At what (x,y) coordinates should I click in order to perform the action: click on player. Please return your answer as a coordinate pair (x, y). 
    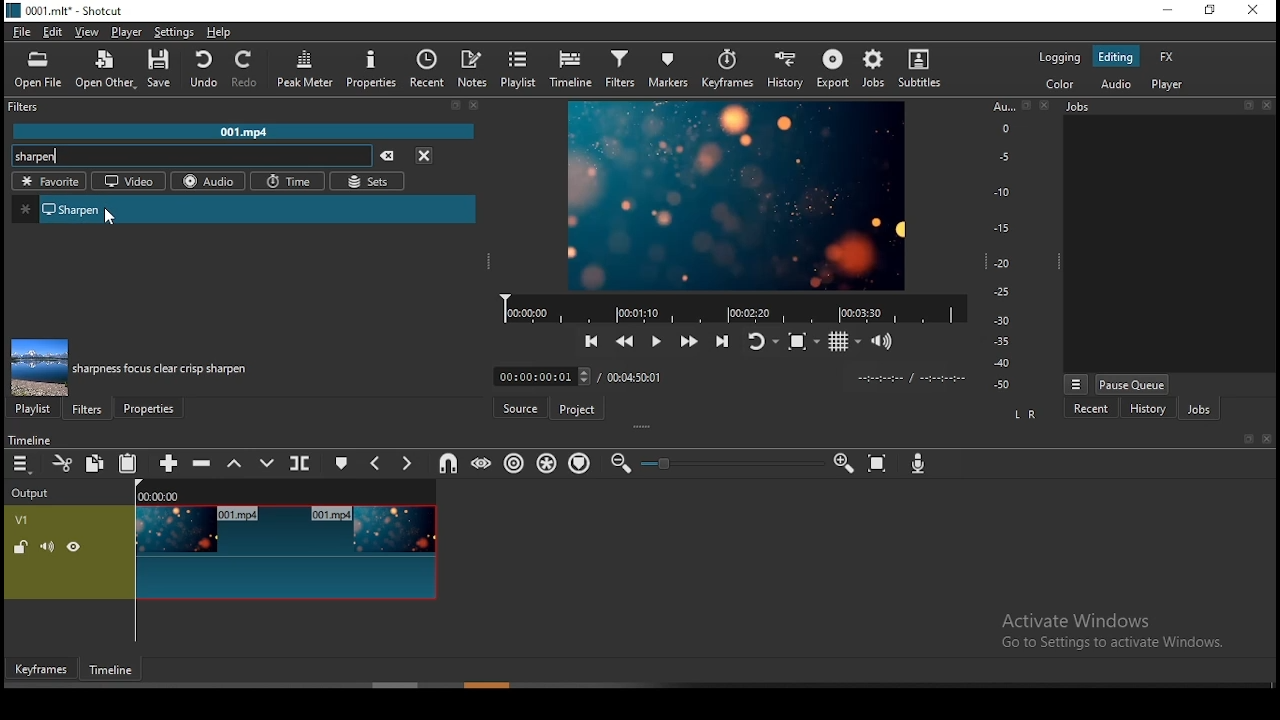
    Looking at the image, I should click on (1169, 84).